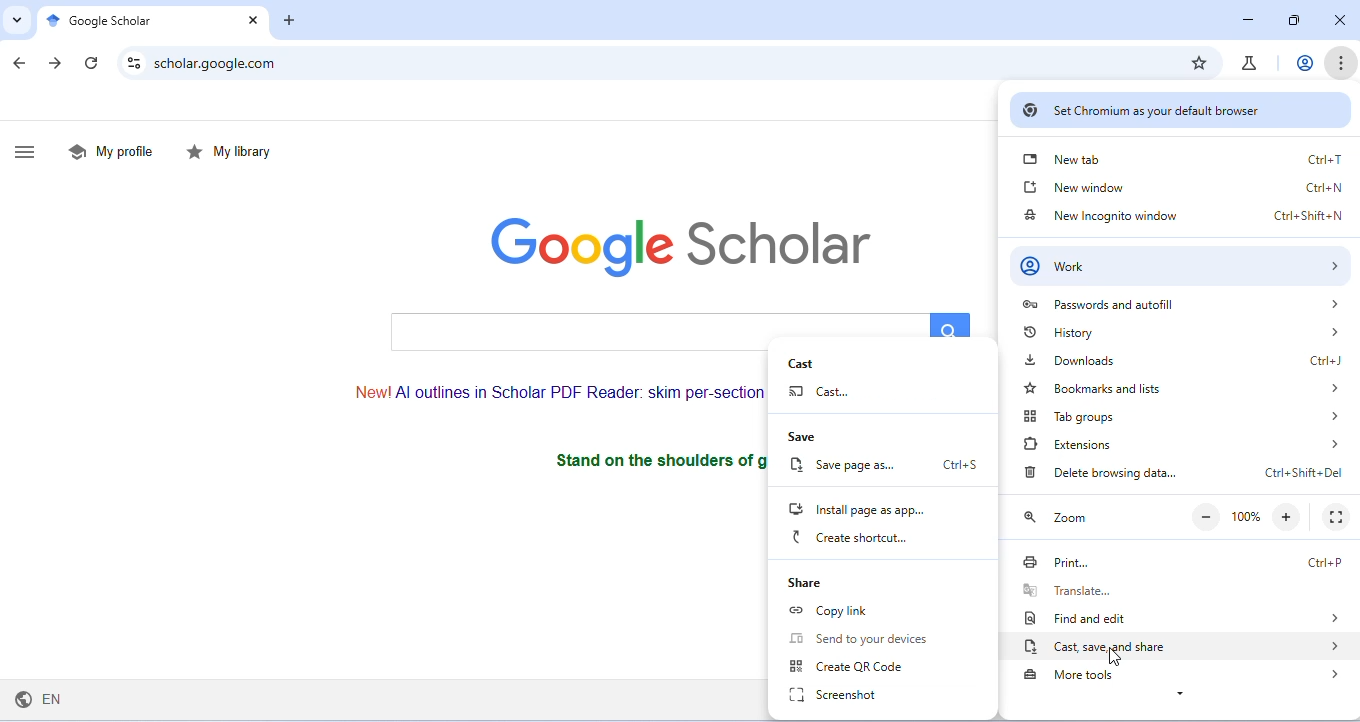  I want to click on screenshot, so click(844, 694).